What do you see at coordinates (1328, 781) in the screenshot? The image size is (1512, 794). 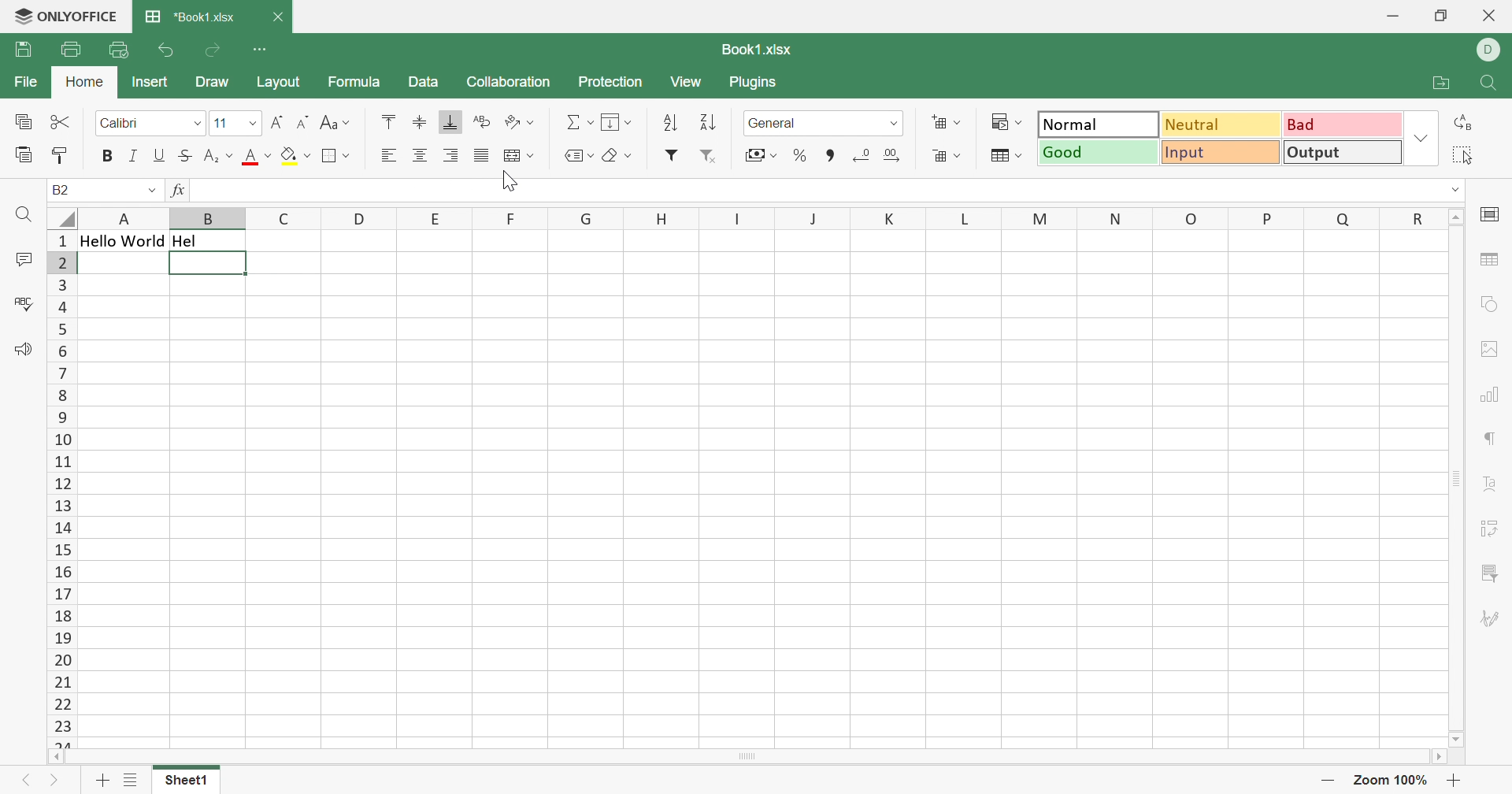 I see `Zoom out` at bounding box center [1328, 781].